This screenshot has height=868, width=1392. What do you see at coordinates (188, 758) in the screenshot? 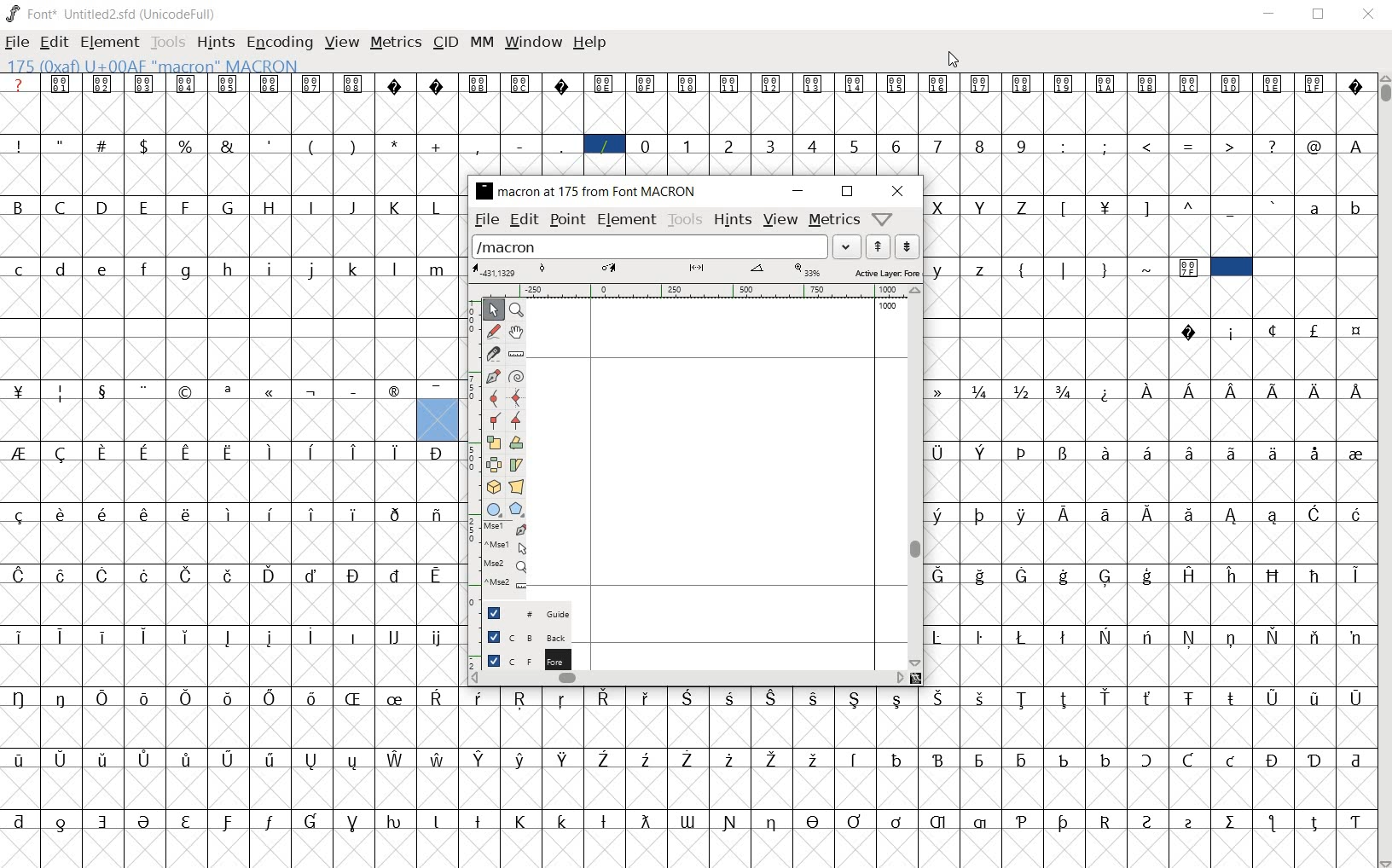
I see `Symbol` at bounding box center [188, 758].